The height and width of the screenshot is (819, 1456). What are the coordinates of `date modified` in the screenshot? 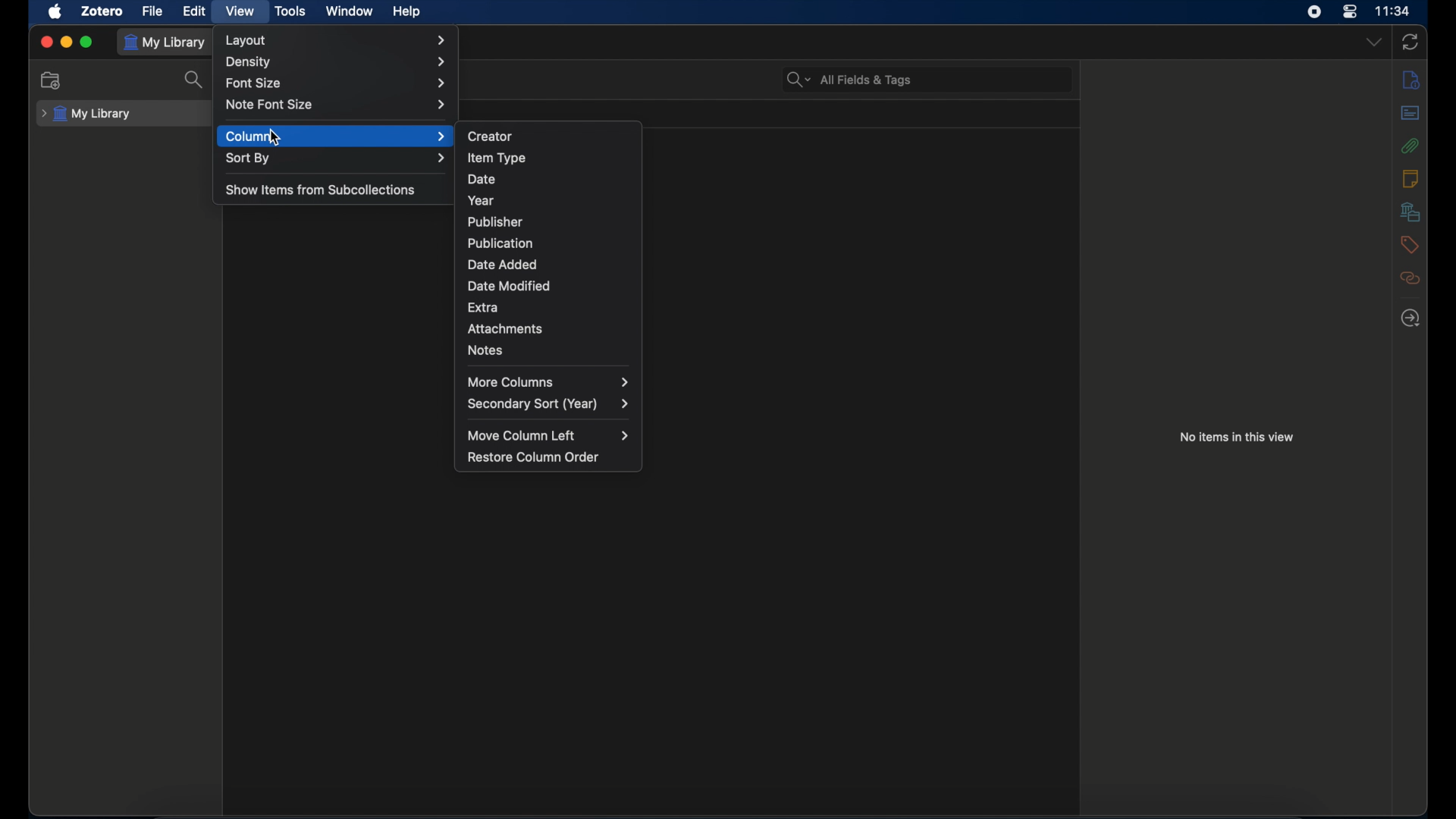 It's located at (510, 286).